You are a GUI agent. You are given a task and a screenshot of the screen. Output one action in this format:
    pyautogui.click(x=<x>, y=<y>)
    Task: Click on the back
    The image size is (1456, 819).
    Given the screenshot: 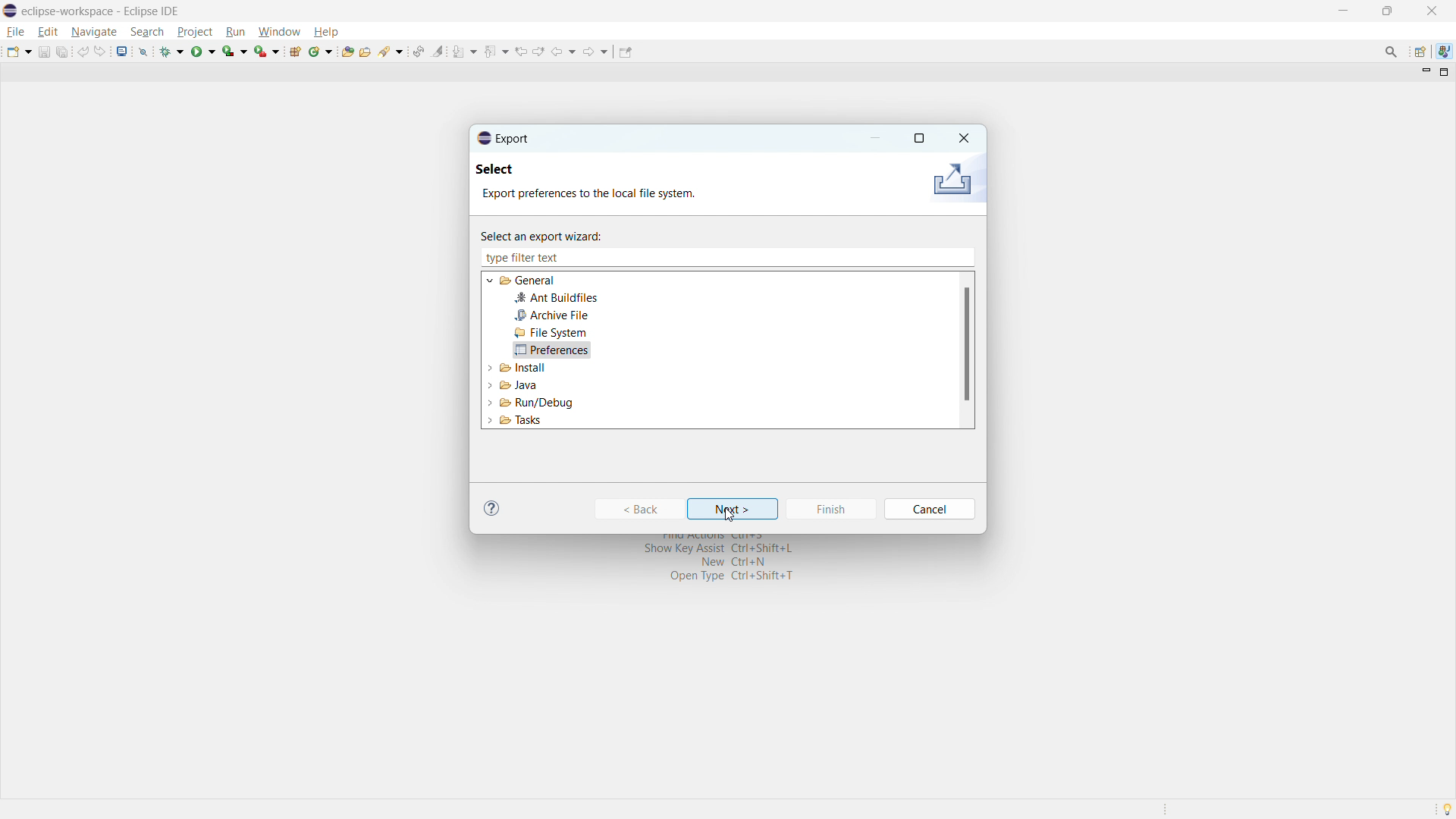 What is the action you would take?
    pyautogui.click(x=564, y=52)
    